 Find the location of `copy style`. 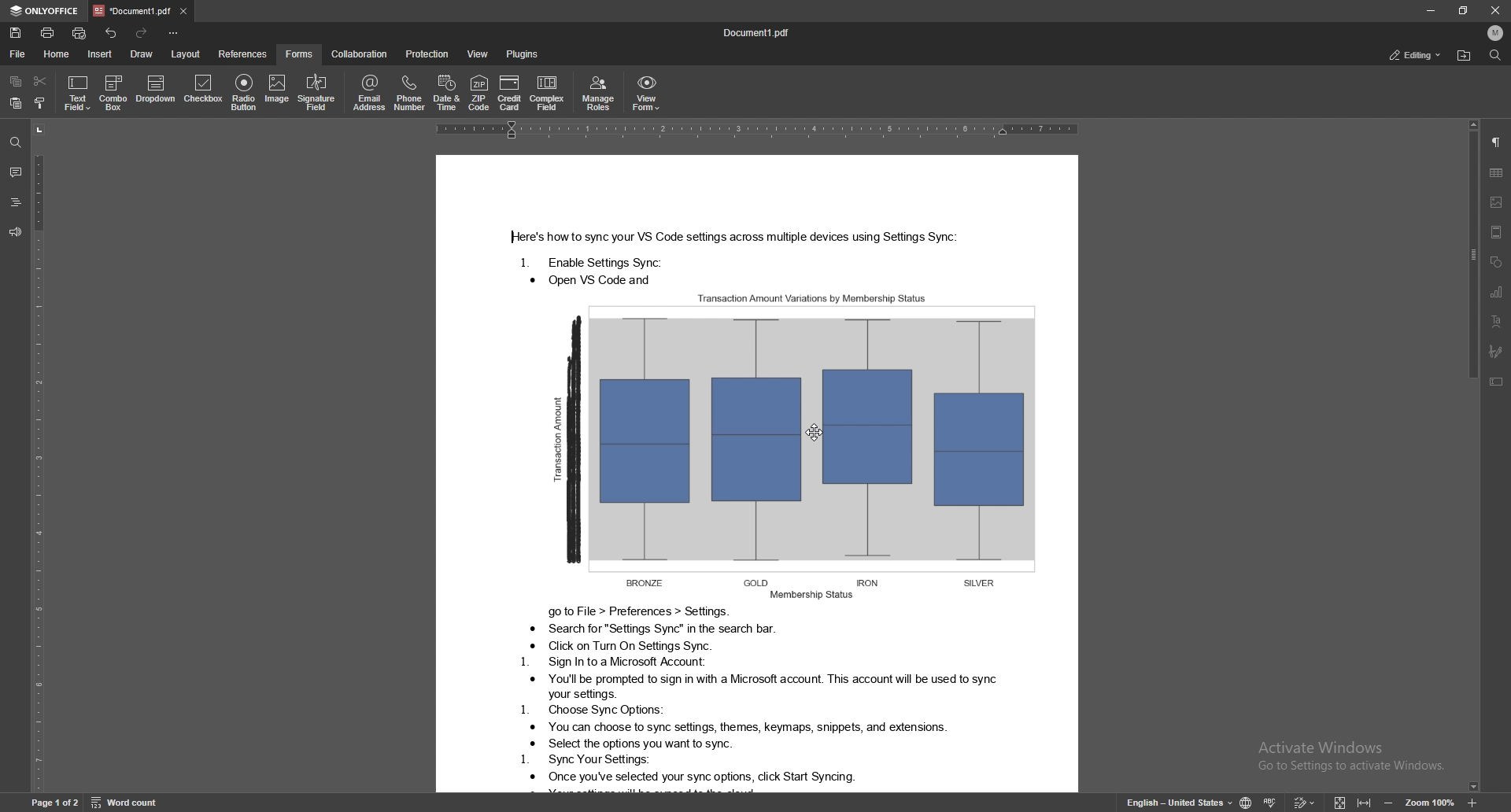

copy style is located at coordinates (40, 104).